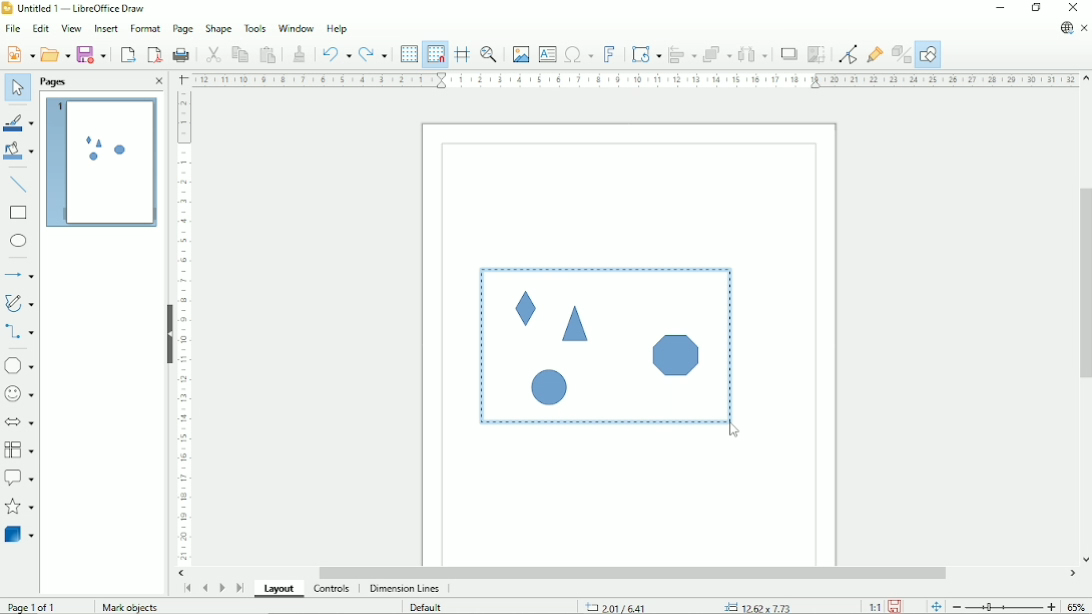 The height and width of the screenshot is (614, 1092). Describe the element at coordinates (520, 53) in the screenshot. I see `Insert image` at that location.